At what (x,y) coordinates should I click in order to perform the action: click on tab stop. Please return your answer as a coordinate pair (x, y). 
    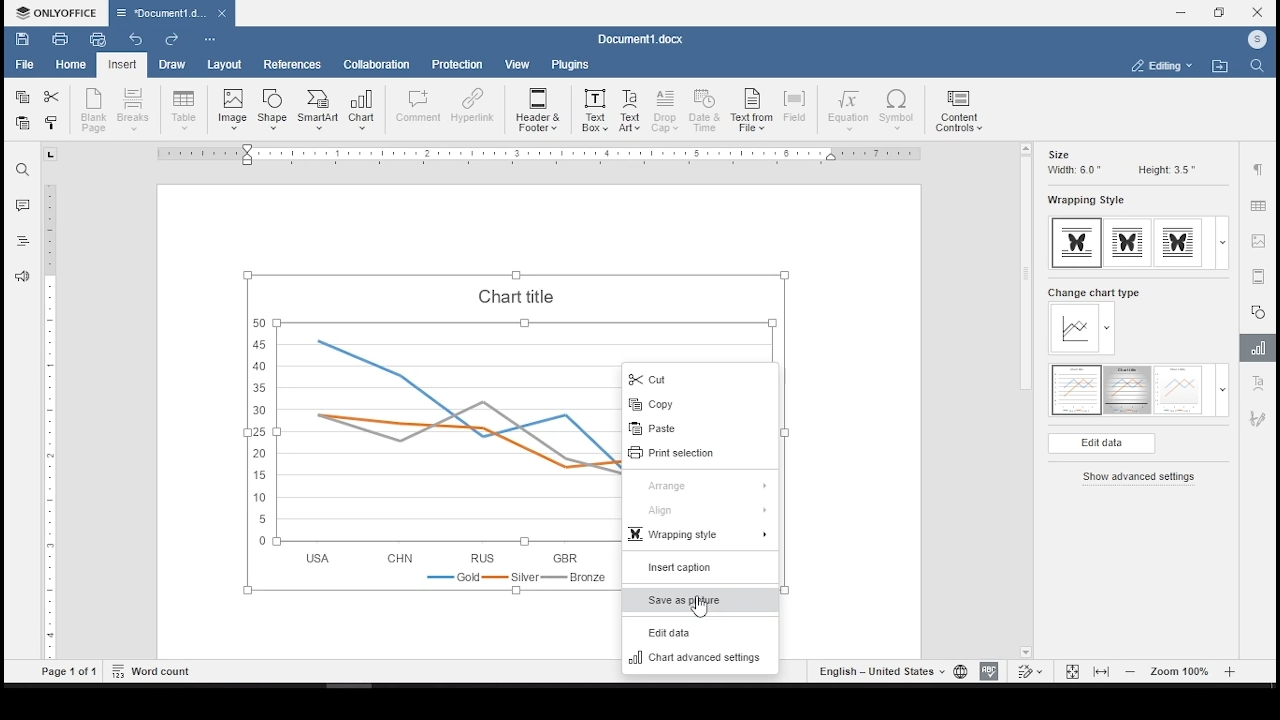
    Looking at the image, I should click on (50, 154).